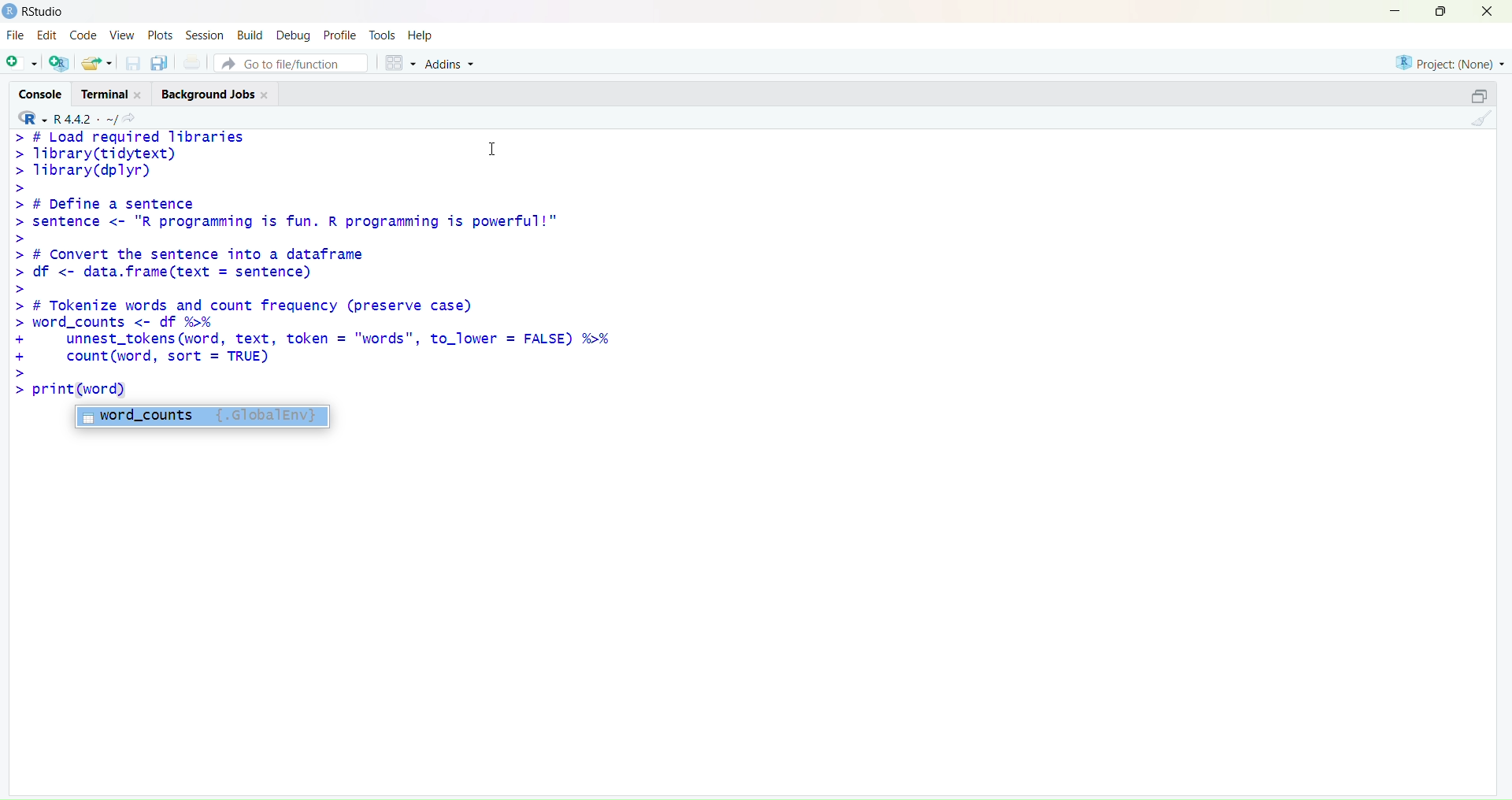 This screenshot has width=1512, height=800. I want to click on collapse, so click(1481, 95).